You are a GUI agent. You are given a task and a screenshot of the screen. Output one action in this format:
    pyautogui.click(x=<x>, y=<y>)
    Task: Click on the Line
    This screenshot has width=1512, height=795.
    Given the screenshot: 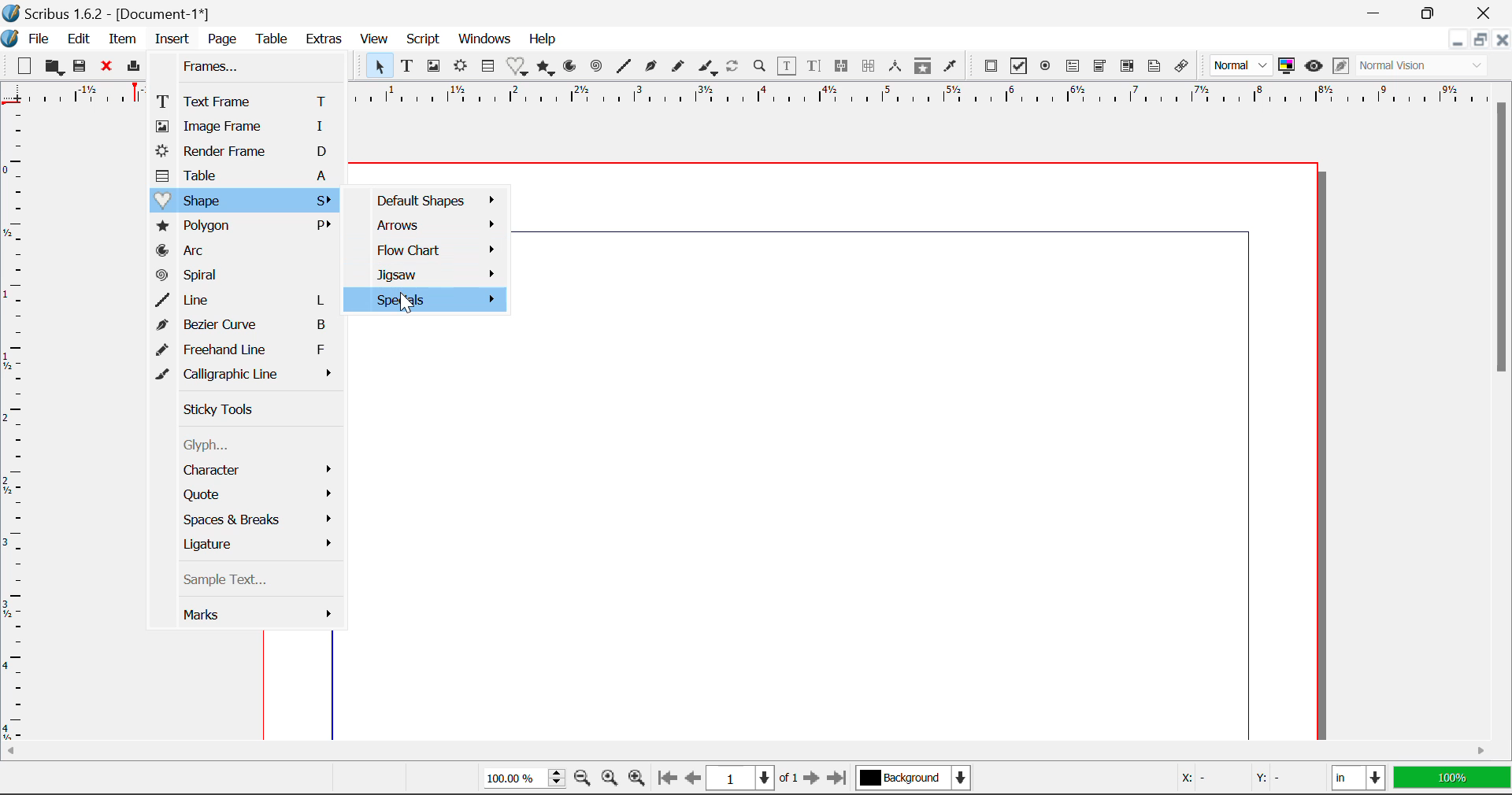 What is the action you would take?
    pyautogui.click(x=625, y=67)
    